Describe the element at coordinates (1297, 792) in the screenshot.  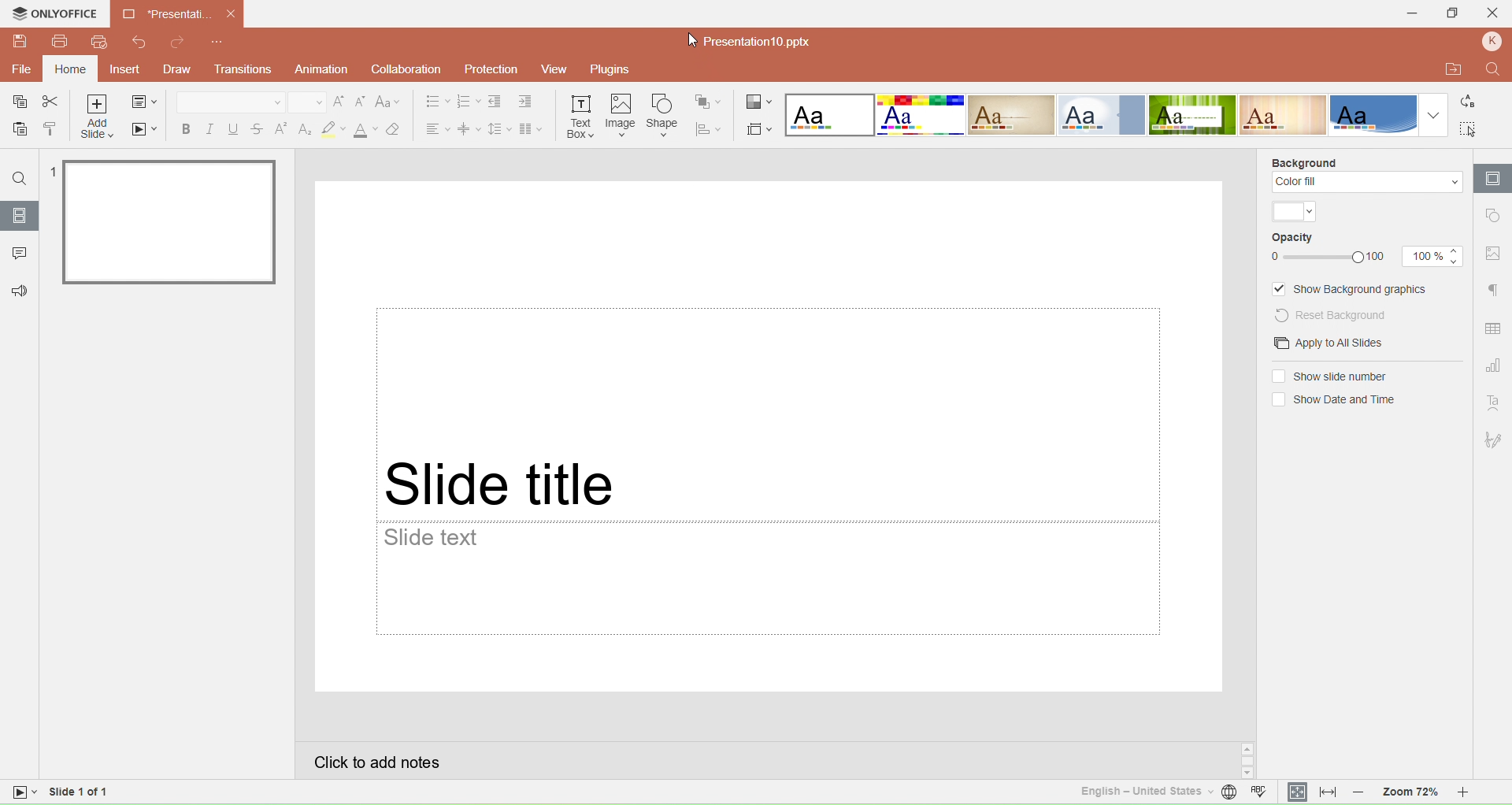
I see `Fit to slide` at that location.